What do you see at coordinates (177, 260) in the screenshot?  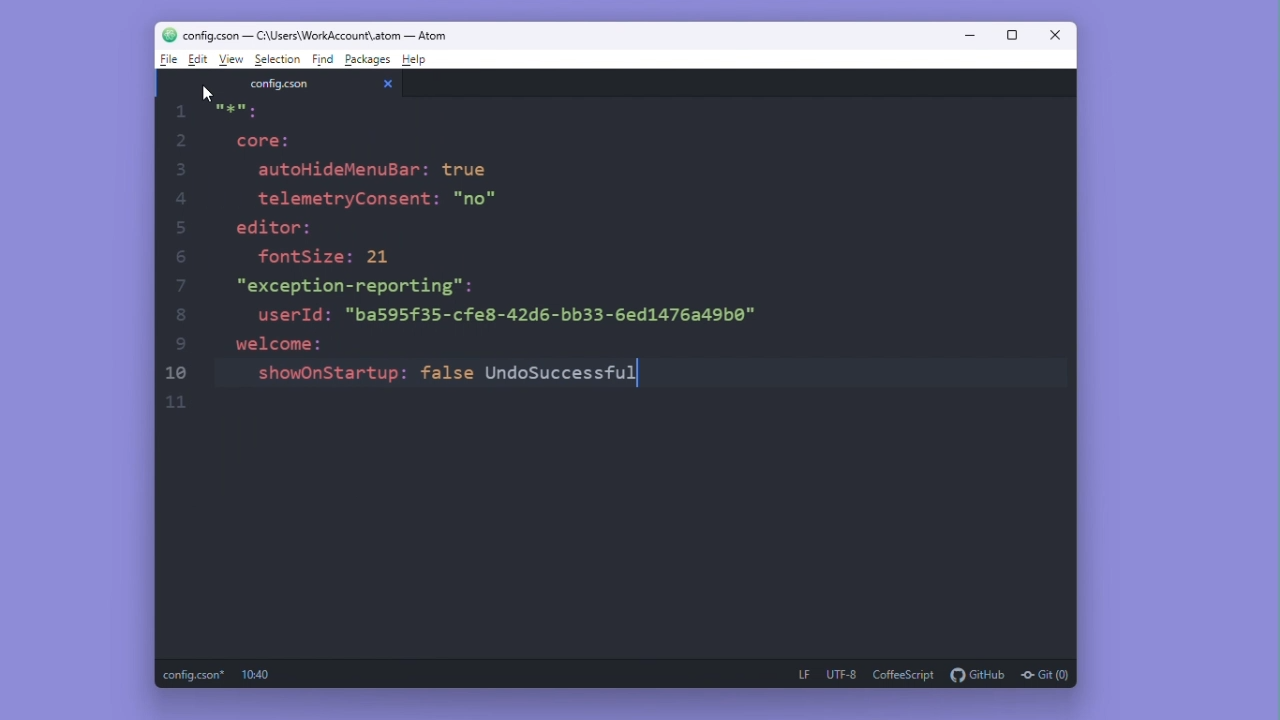 I see `scale` at bounding box center [177, 260].